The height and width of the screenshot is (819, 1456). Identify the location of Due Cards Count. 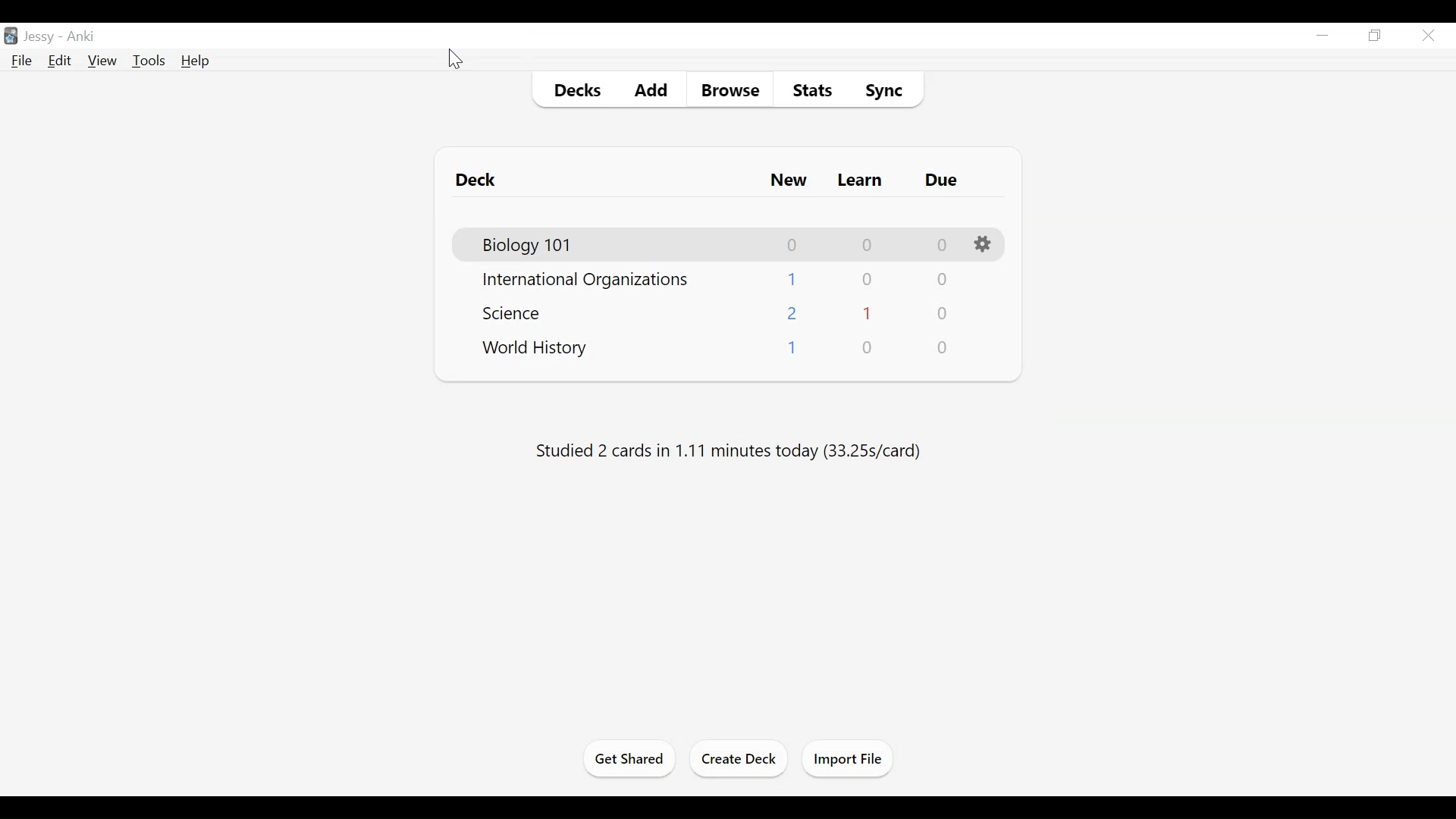
(943, 245).